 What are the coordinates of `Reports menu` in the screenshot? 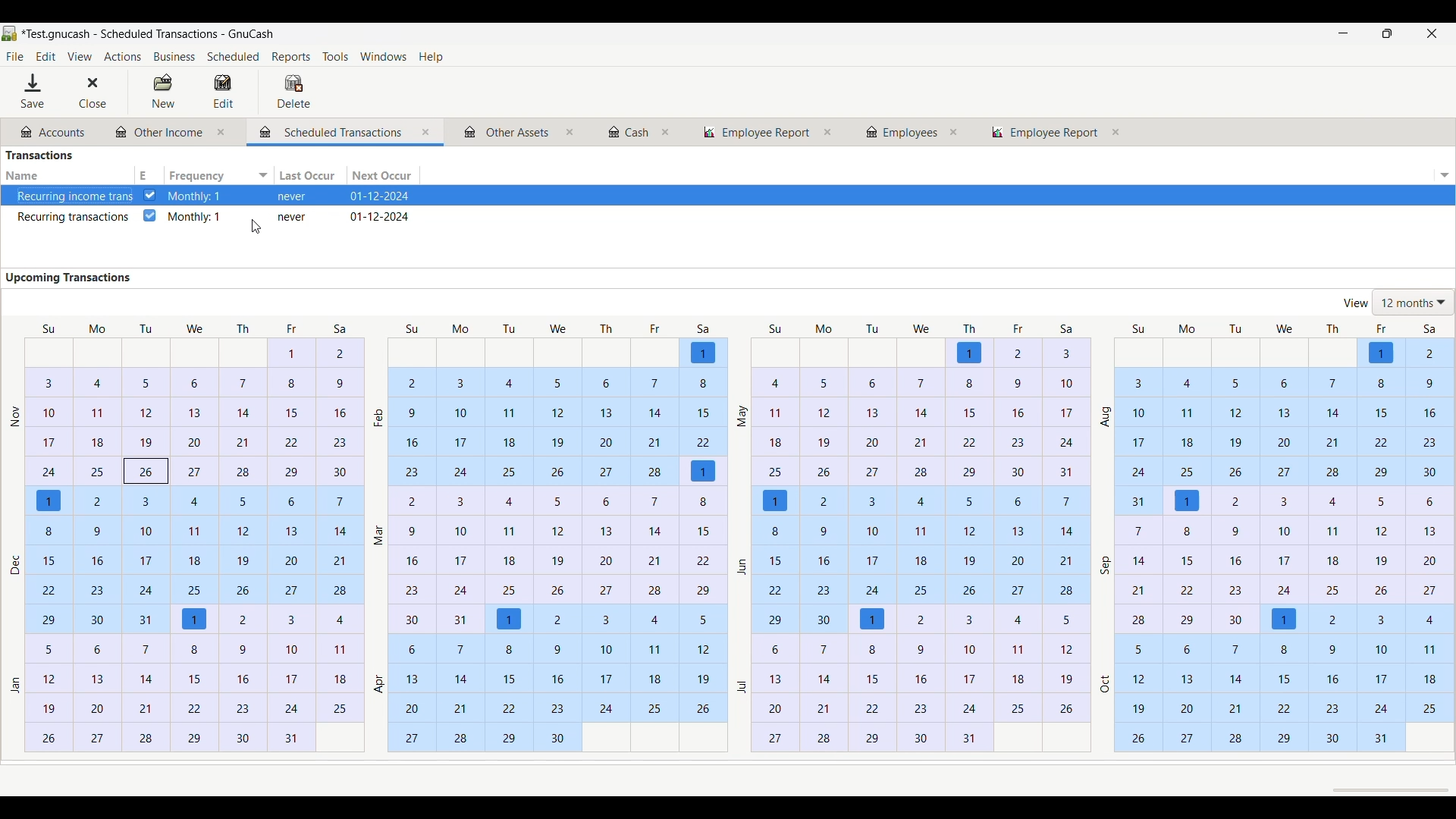 It's located at (293, 57).